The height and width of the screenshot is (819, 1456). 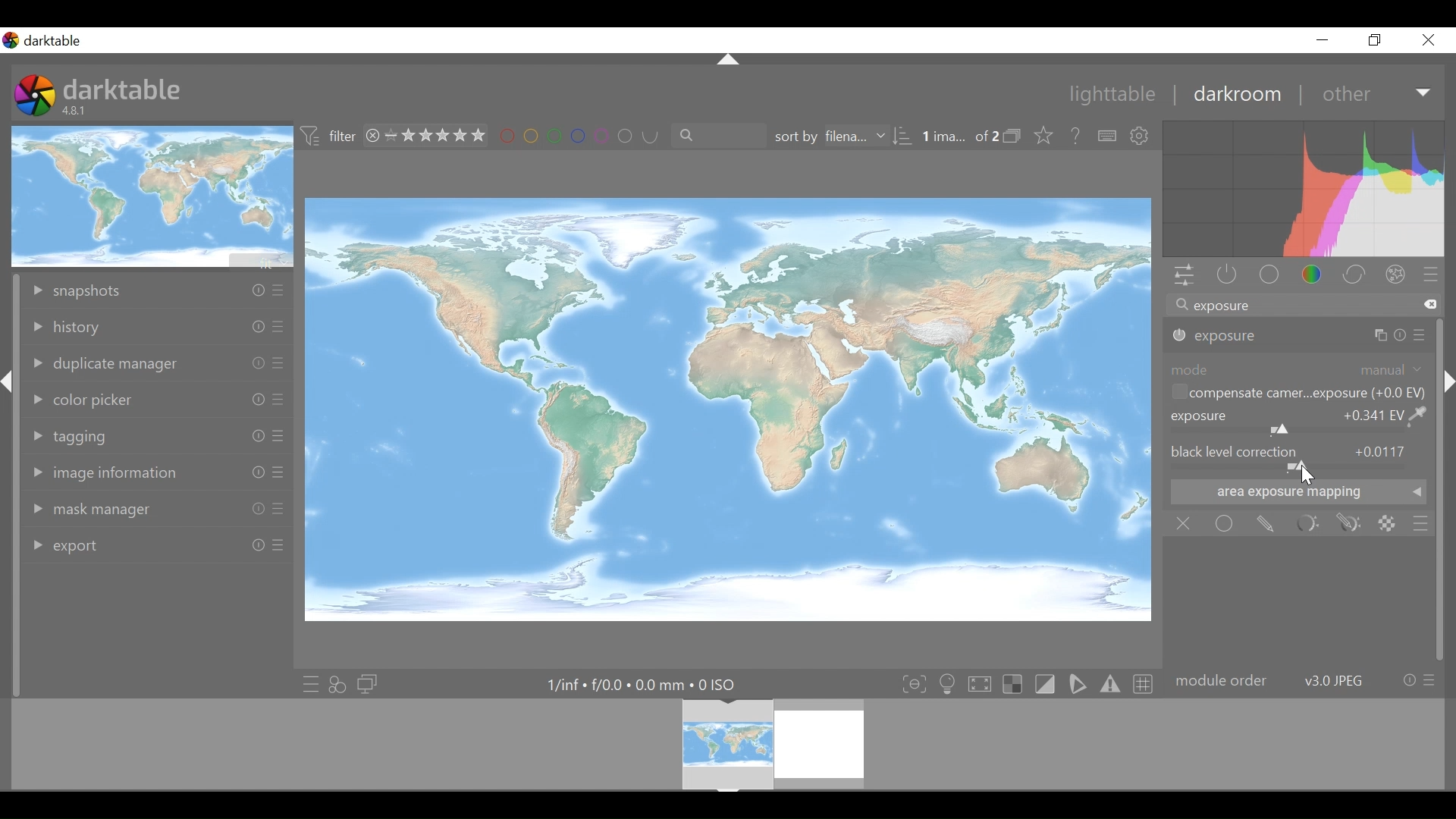 I want to click on Restore, so click(x=1379, y=39).